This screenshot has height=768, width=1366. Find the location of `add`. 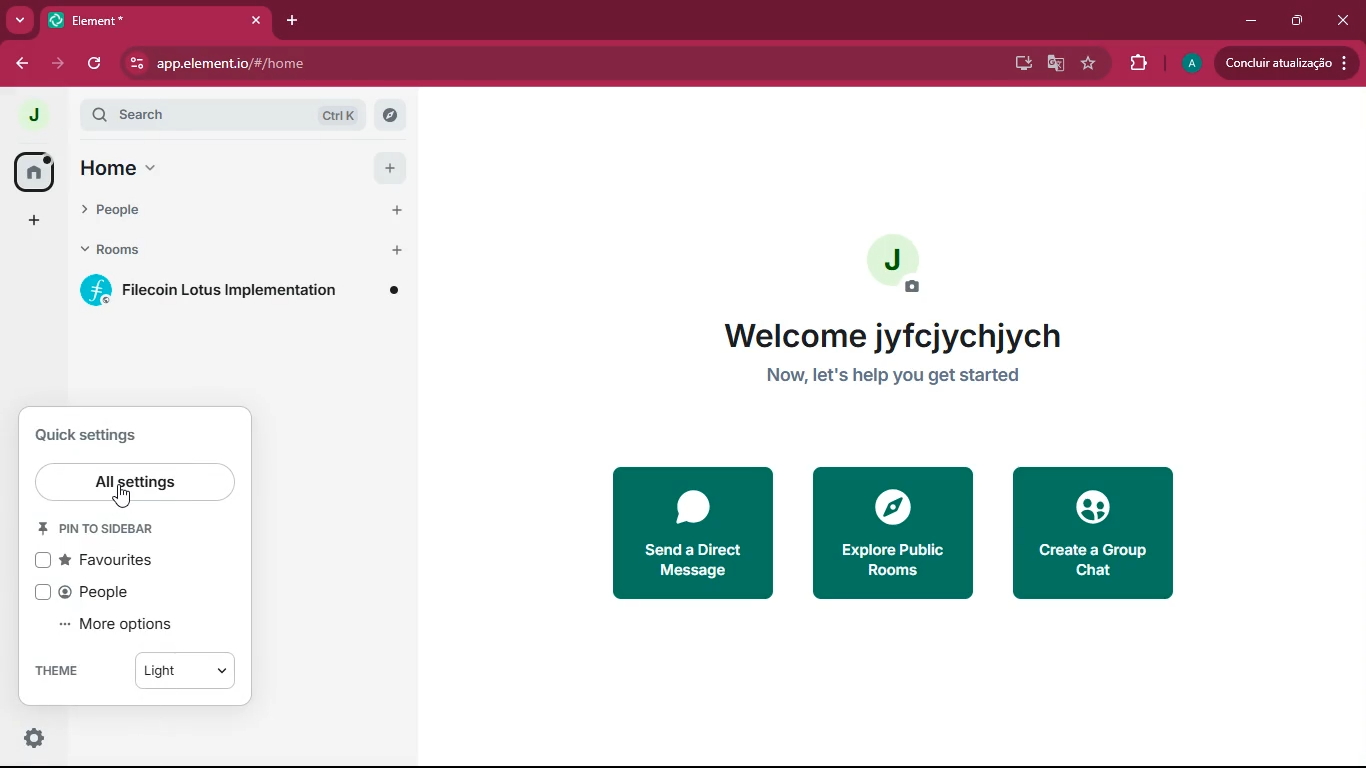

add is located at coordinates (397, 207).